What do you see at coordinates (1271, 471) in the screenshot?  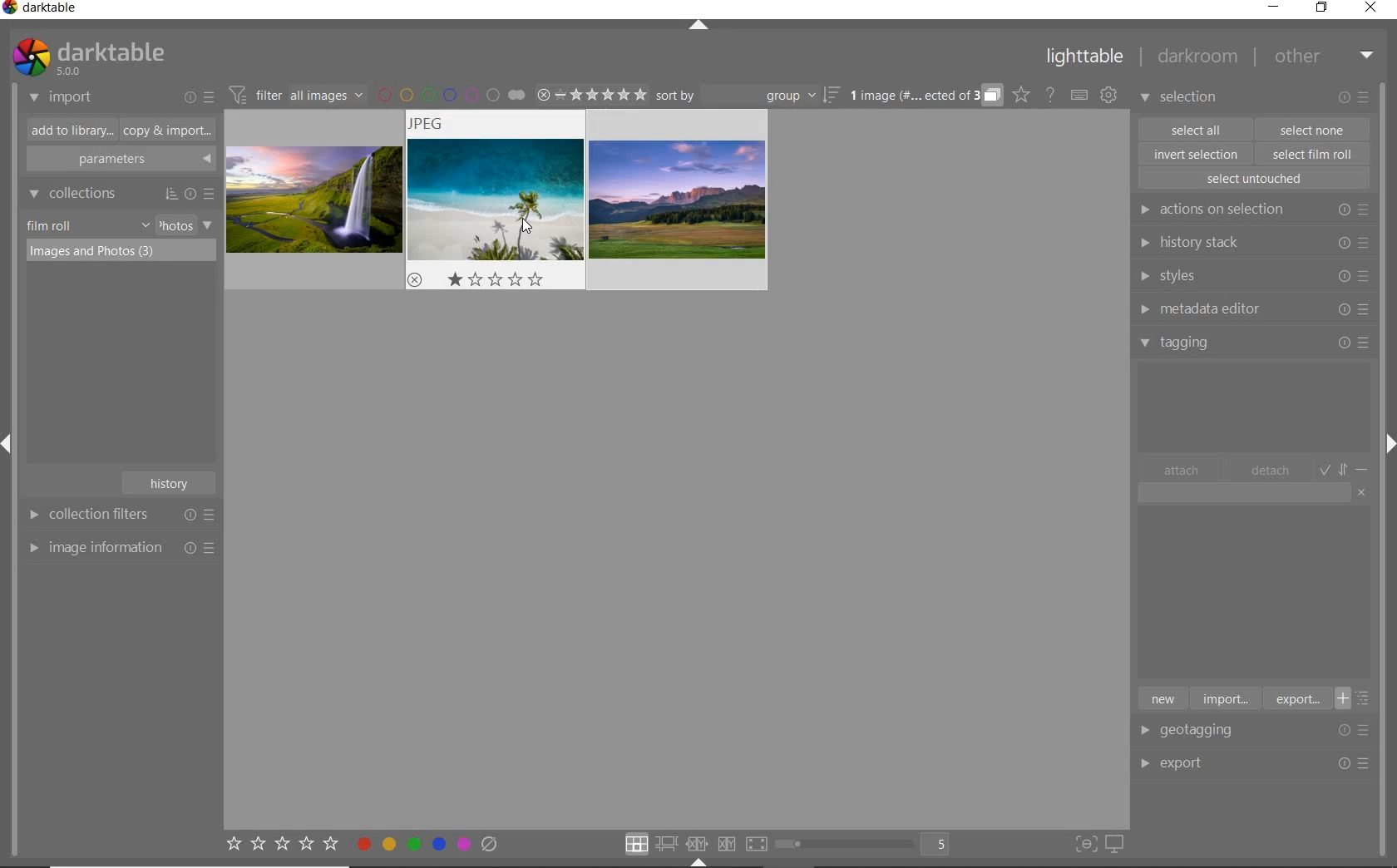 I see `detach` at bounding box center [1271, 471].